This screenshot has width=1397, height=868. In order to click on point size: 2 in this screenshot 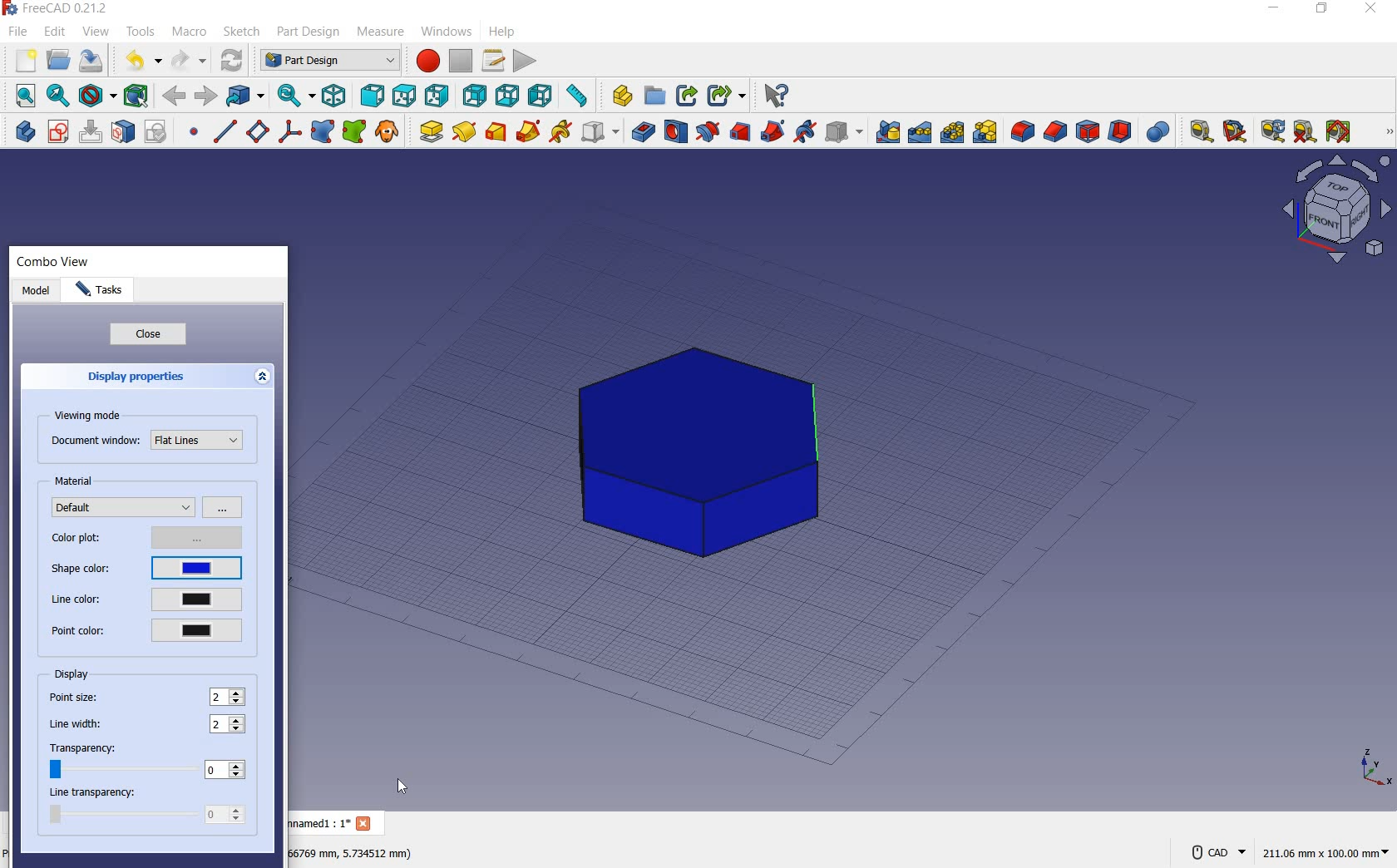, I will do `click(225, 696)`.